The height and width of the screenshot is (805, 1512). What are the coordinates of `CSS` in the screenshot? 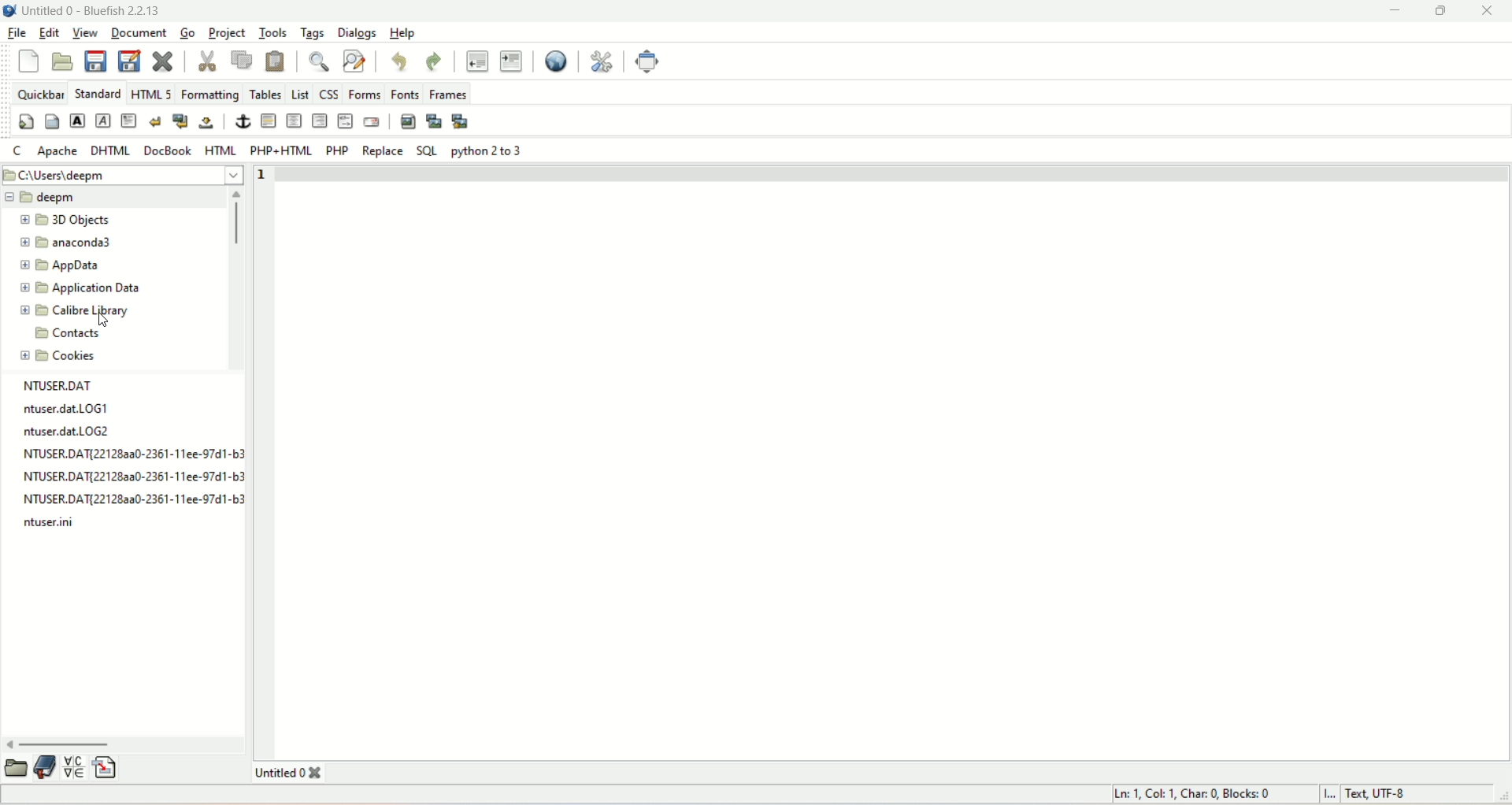 It's located at (328, 95).